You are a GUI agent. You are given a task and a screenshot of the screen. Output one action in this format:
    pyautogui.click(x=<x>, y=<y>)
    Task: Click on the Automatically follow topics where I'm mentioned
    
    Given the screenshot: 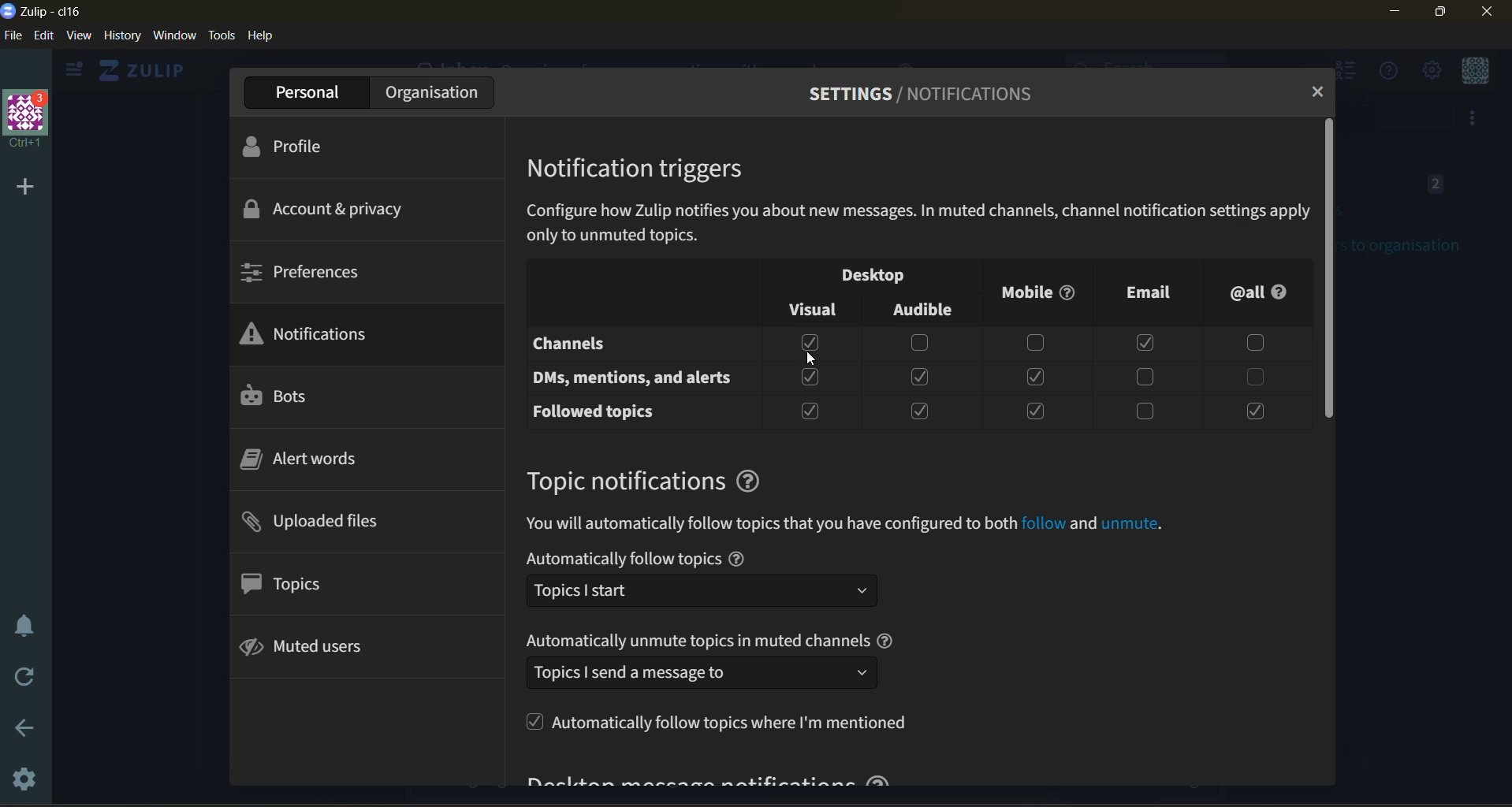 What is the action you would take?
    pyautogui.click(x=716, y=721)
    